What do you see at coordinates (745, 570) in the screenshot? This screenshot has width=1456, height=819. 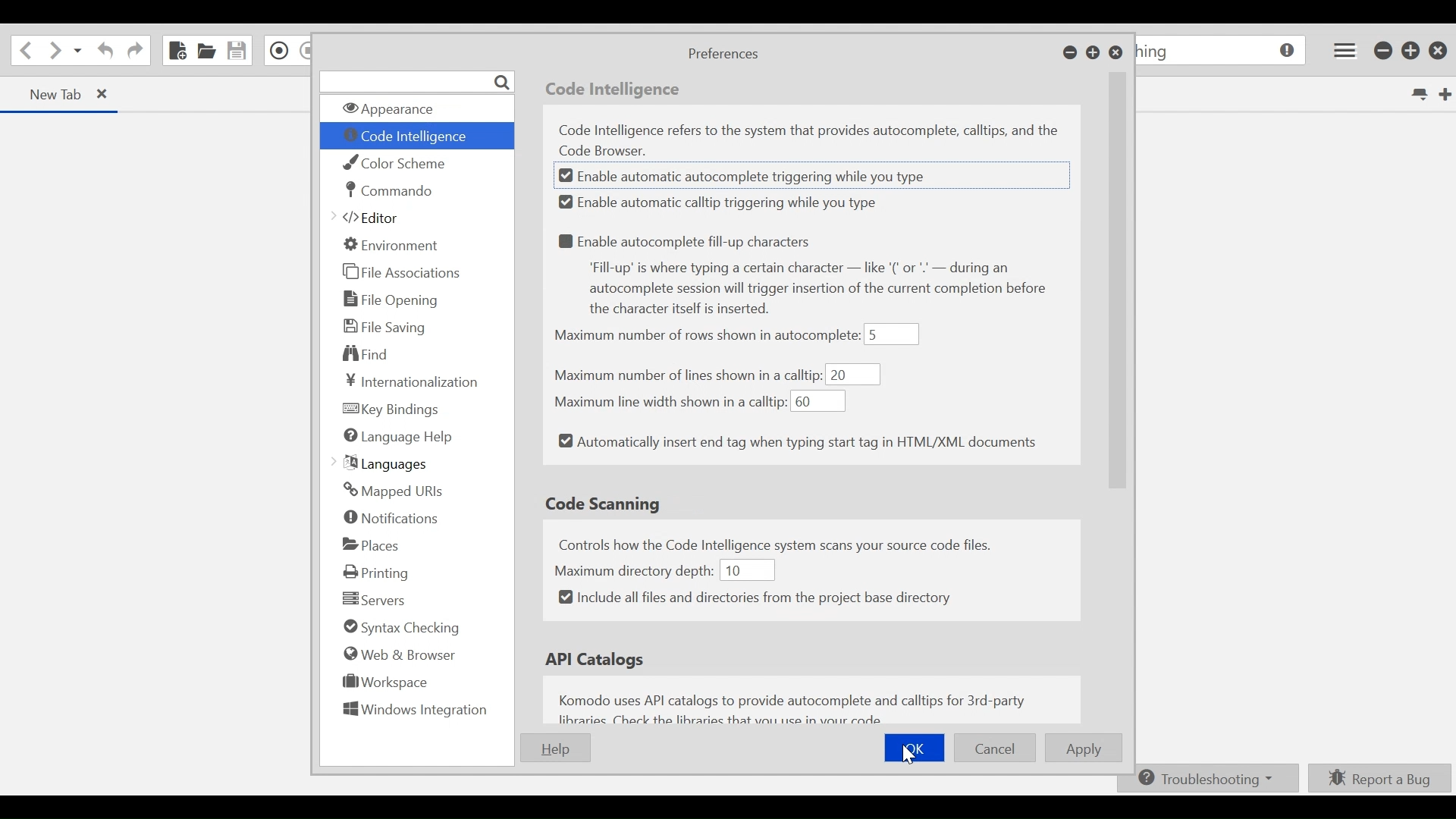 I see `10` at bounding box center [745, 570].